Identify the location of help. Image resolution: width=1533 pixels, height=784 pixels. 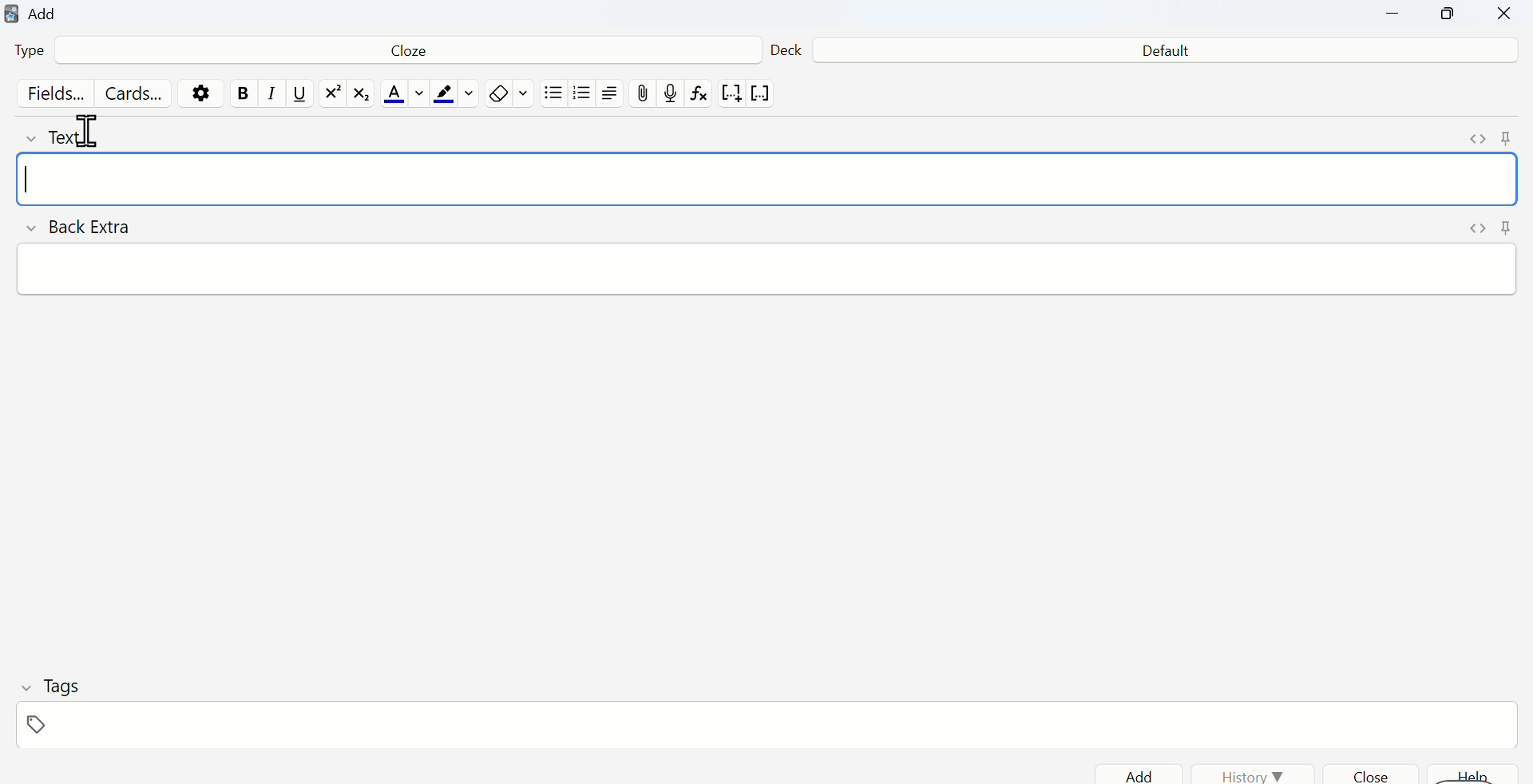
(1480, 774).